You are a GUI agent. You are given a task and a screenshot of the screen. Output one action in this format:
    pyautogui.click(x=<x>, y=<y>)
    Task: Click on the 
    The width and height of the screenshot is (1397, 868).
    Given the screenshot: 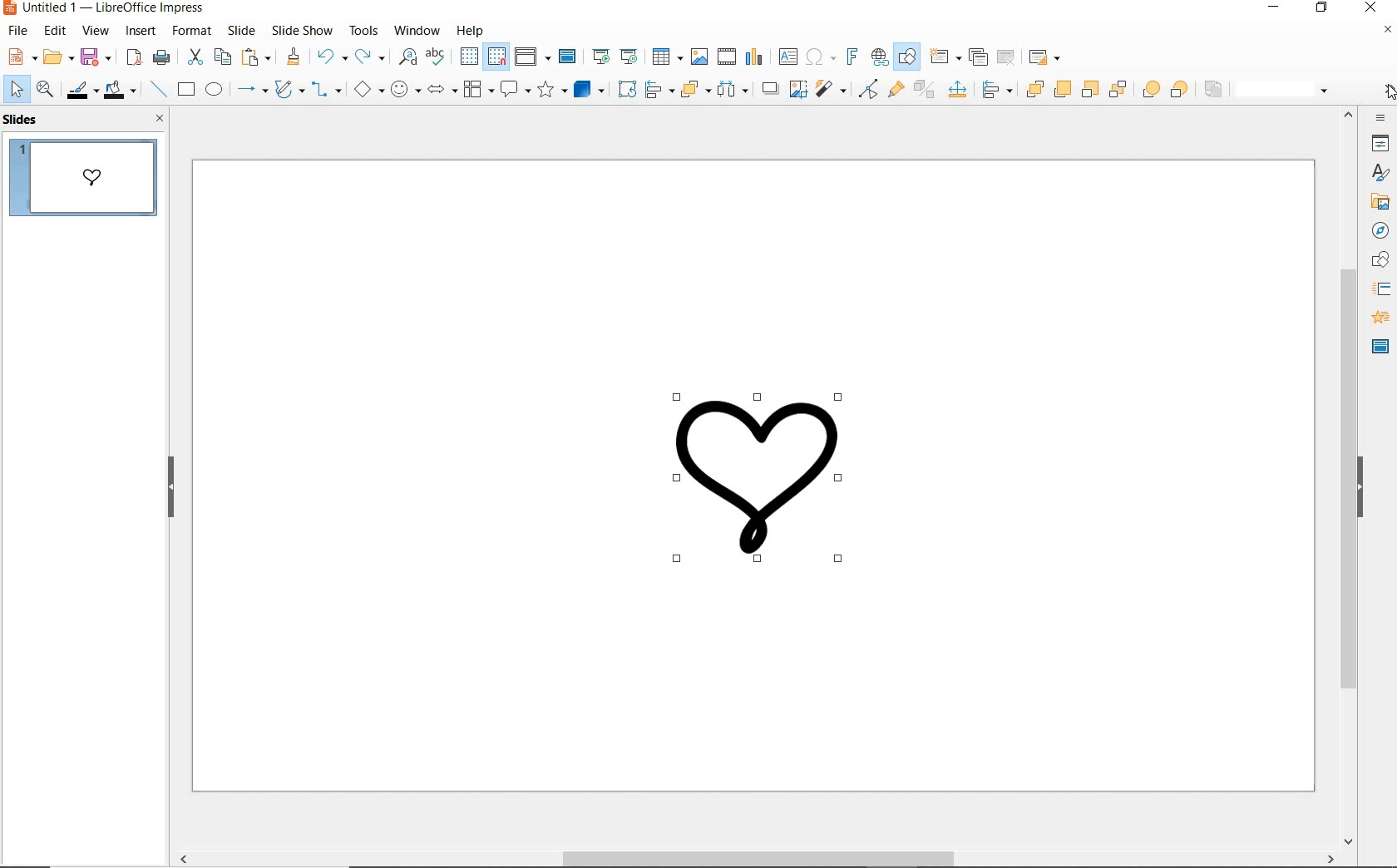 What is the action you would take?
    pyautogui.click(x=1382, y=289)
    